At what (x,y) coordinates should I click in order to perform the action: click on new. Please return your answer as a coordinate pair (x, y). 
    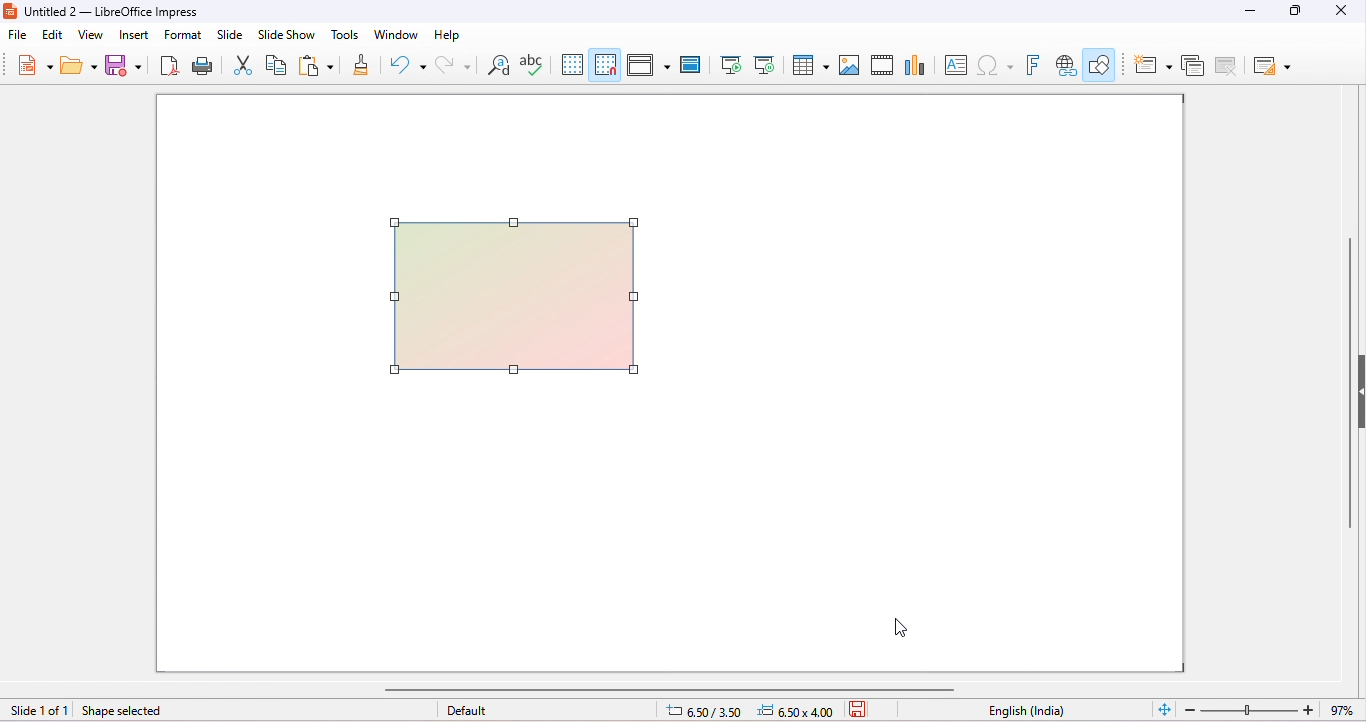
    Looking at the image, I should click on (35, 64).